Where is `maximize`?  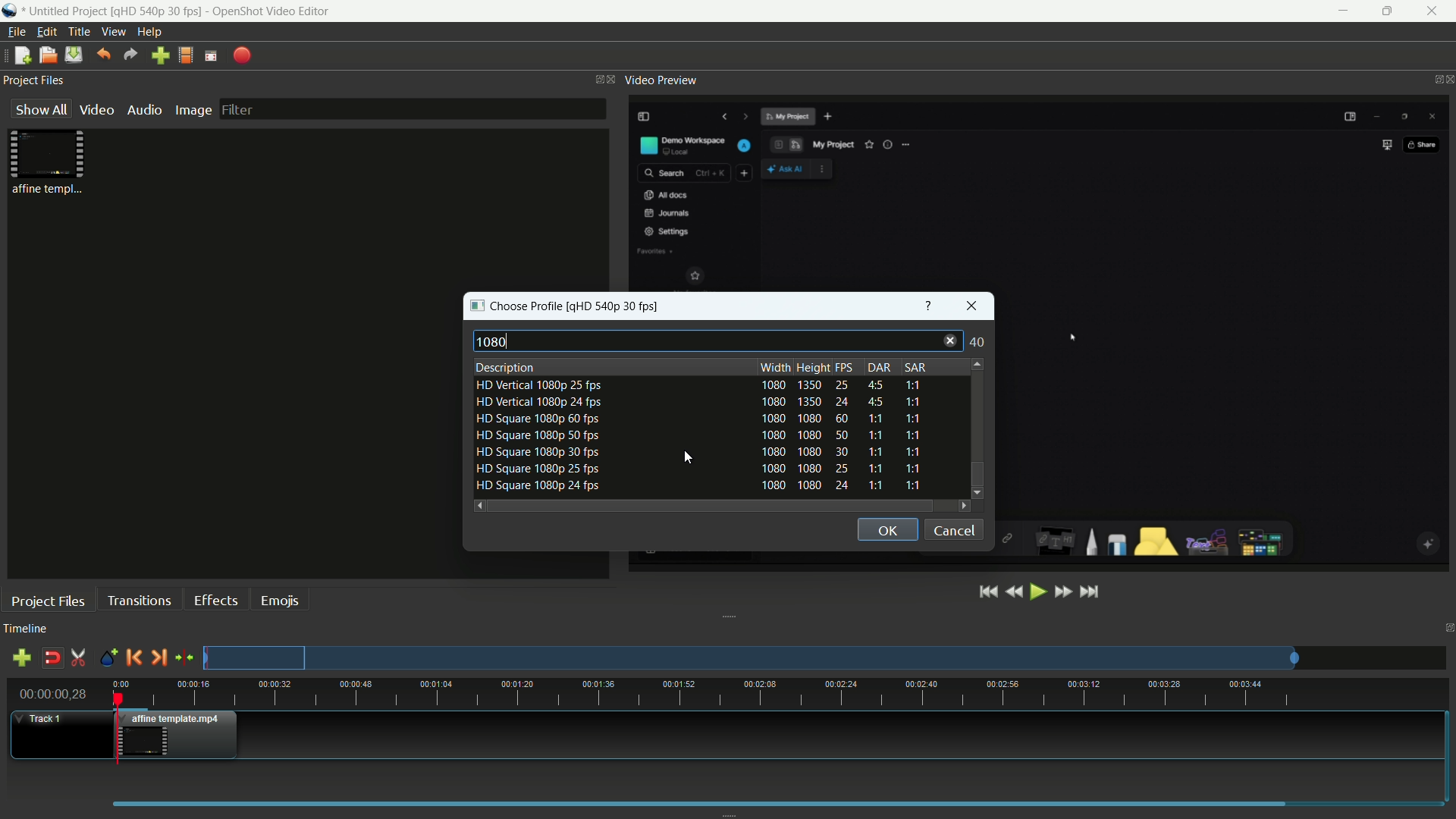 maximize is located at coordinates (1391, 11).